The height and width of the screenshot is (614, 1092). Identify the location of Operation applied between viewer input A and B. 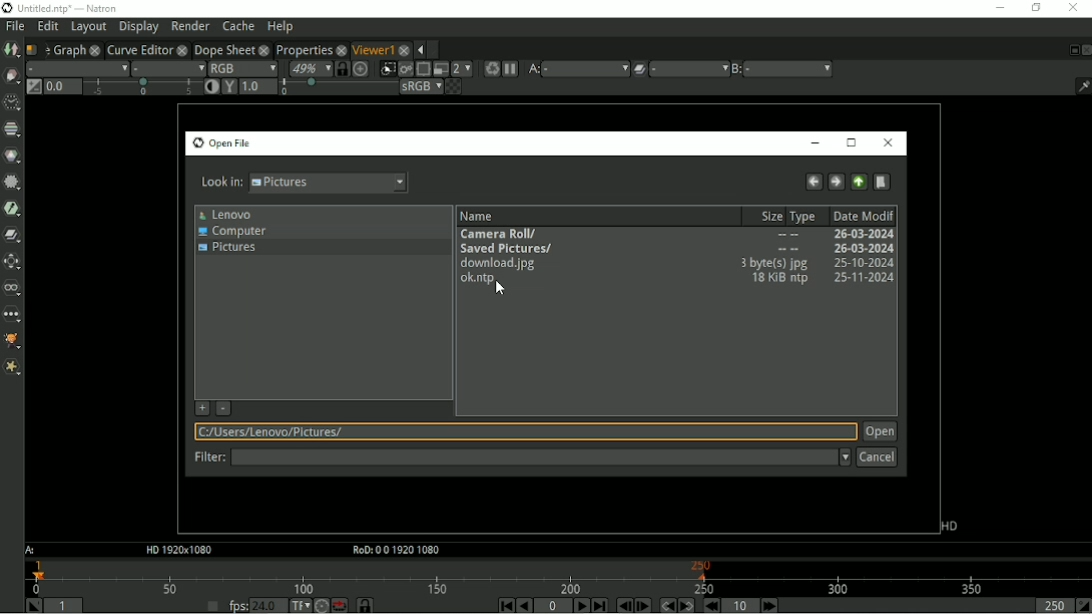
(639, 69).